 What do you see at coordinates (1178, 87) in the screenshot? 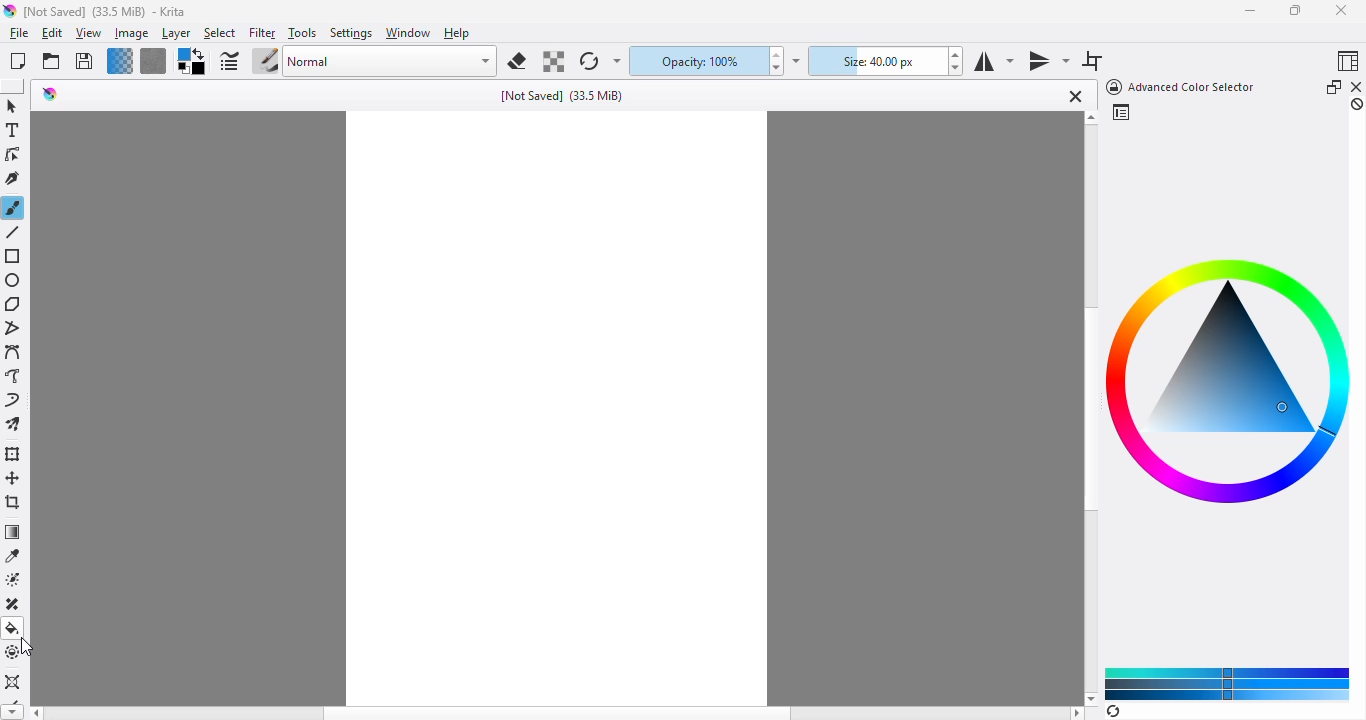
I see `advanced color selector` at bounding box center [1178, 87].